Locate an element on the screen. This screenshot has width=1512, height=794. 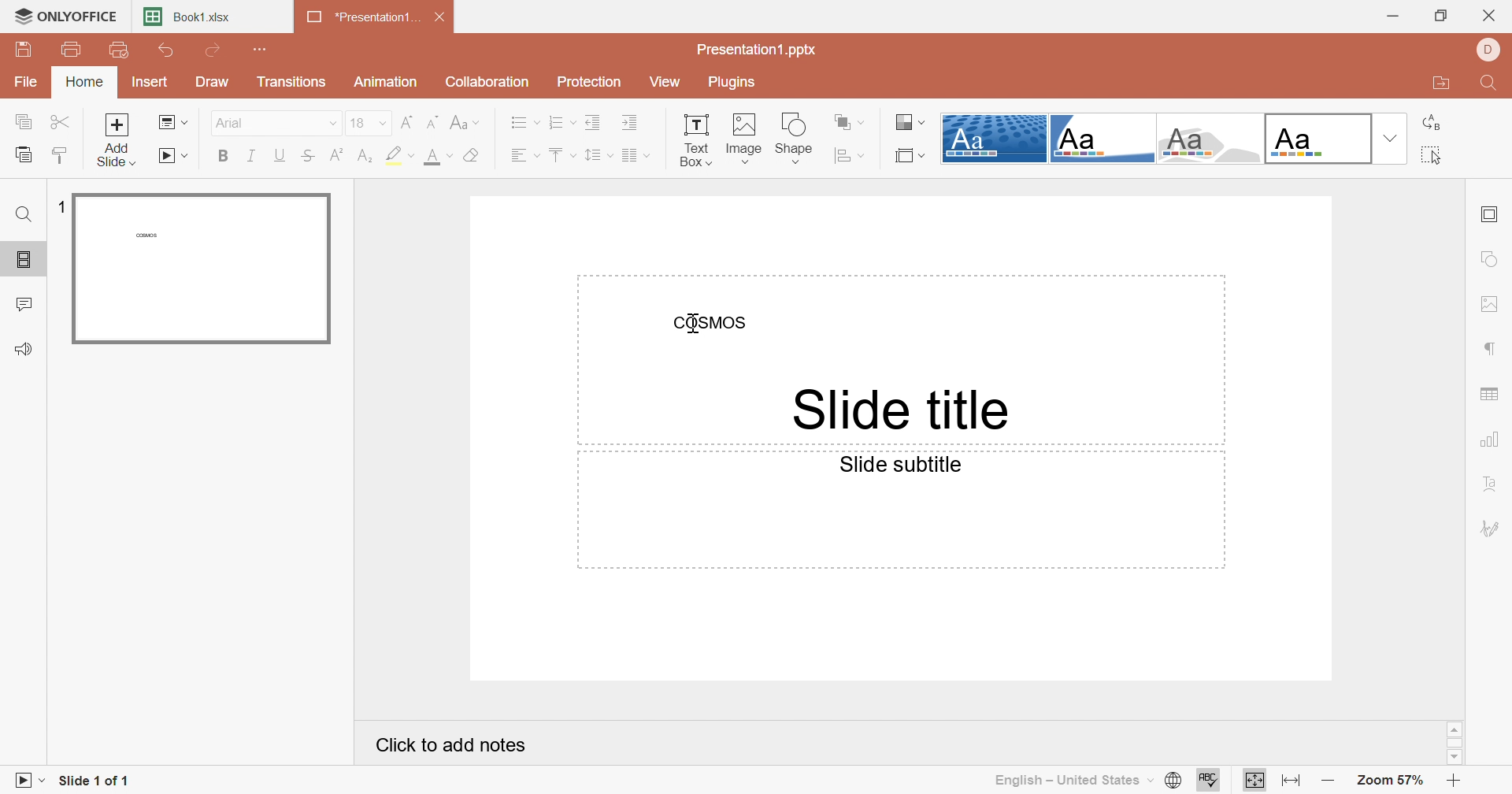
Shape is located at coordinates (795, 139).